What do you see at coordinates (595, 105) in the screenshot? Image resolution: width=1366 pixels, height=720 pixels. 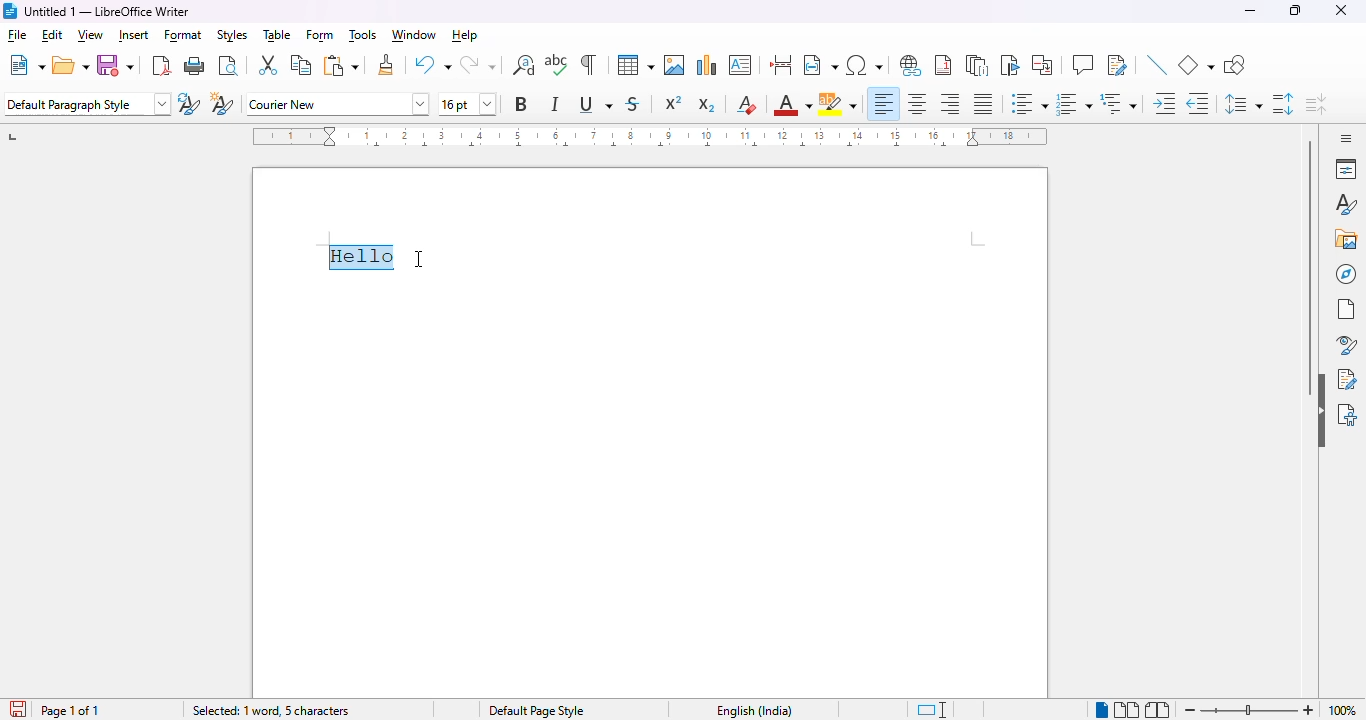 I see `underline` at bounding box center [595, 105].